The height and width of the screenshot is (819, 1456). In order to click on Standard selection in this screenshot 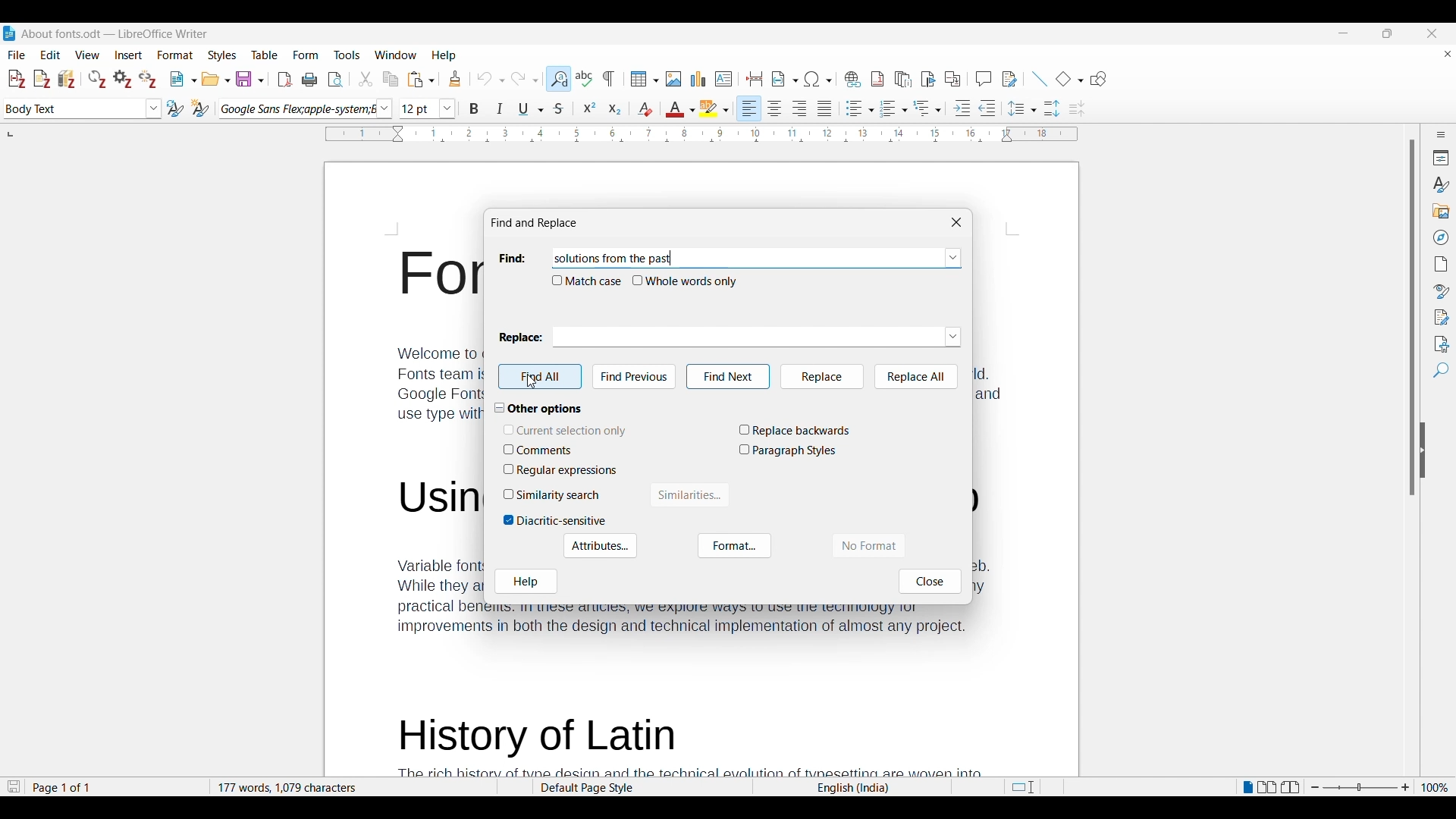, I will do `click(1022, 787)`.